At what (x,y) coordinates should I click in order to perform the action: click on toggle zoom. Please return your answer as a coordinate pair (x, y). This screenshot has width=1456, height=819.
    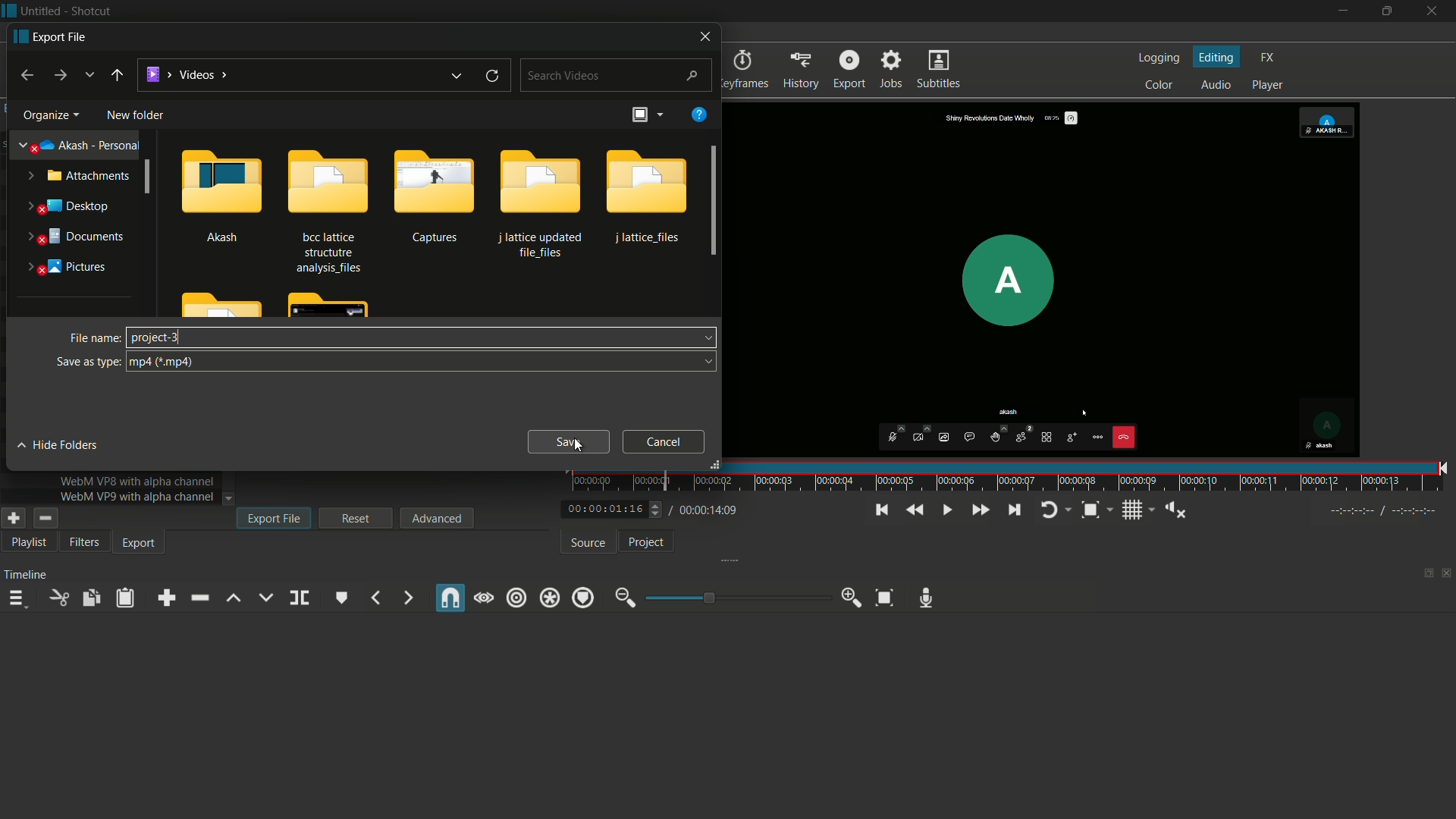
    Looking at the image, I should click on (1090, 510).